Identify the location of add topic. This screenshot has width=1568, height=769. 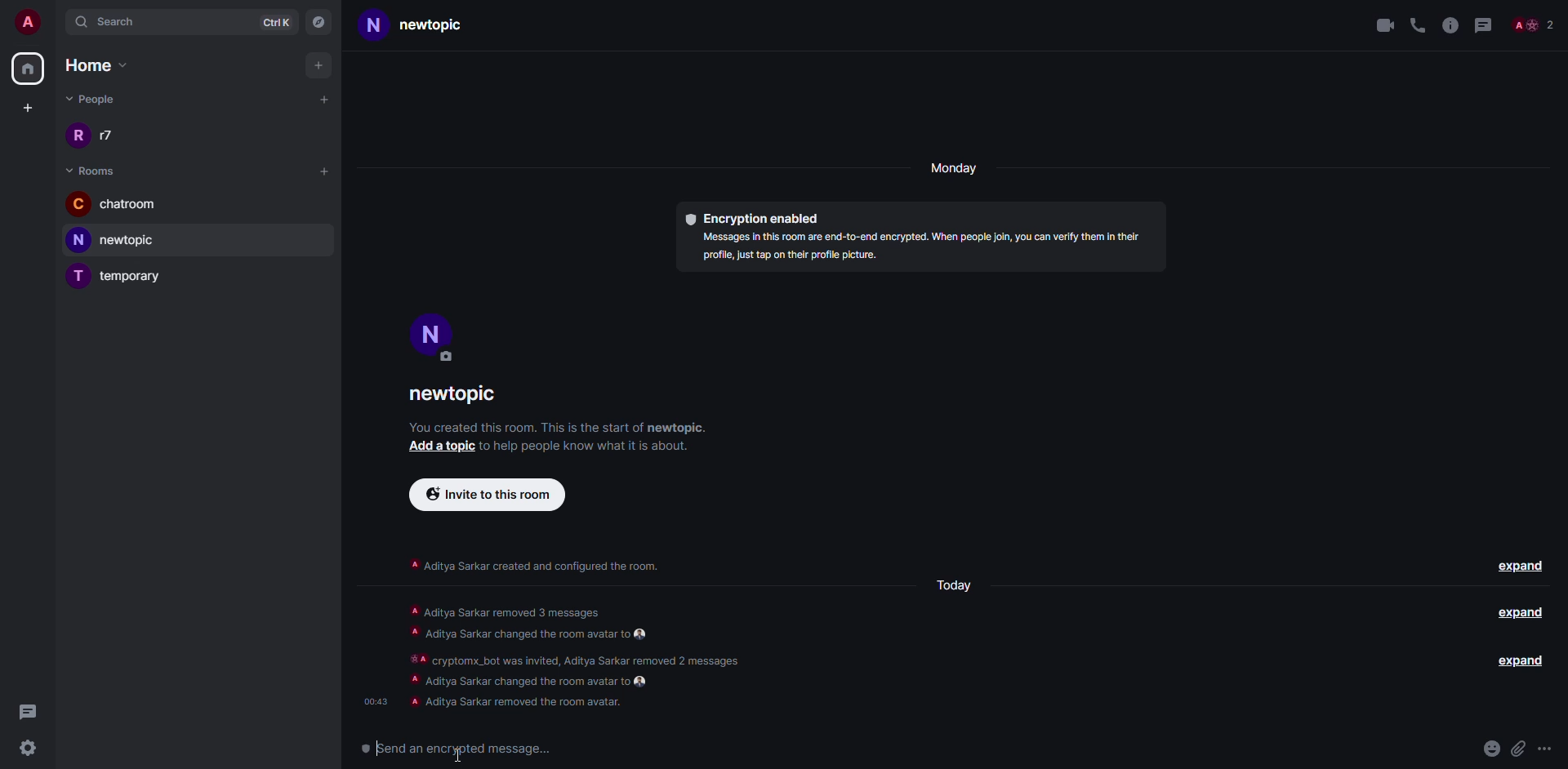
(436, 447).